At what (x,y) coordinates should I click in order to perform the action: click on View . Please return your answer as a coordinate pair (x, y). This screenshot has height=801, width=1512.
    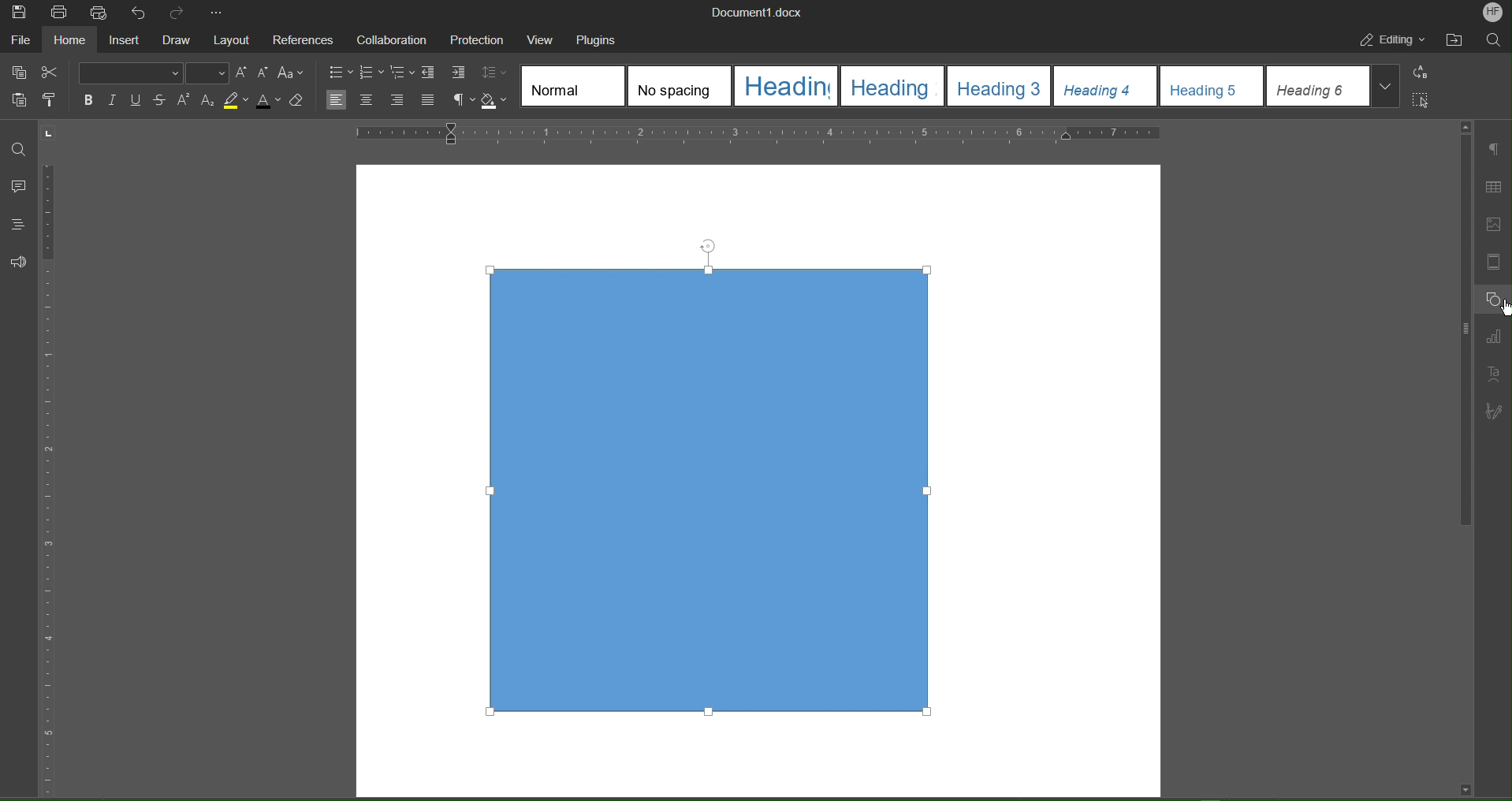
    Looking at the image, I should click on (546, 39).